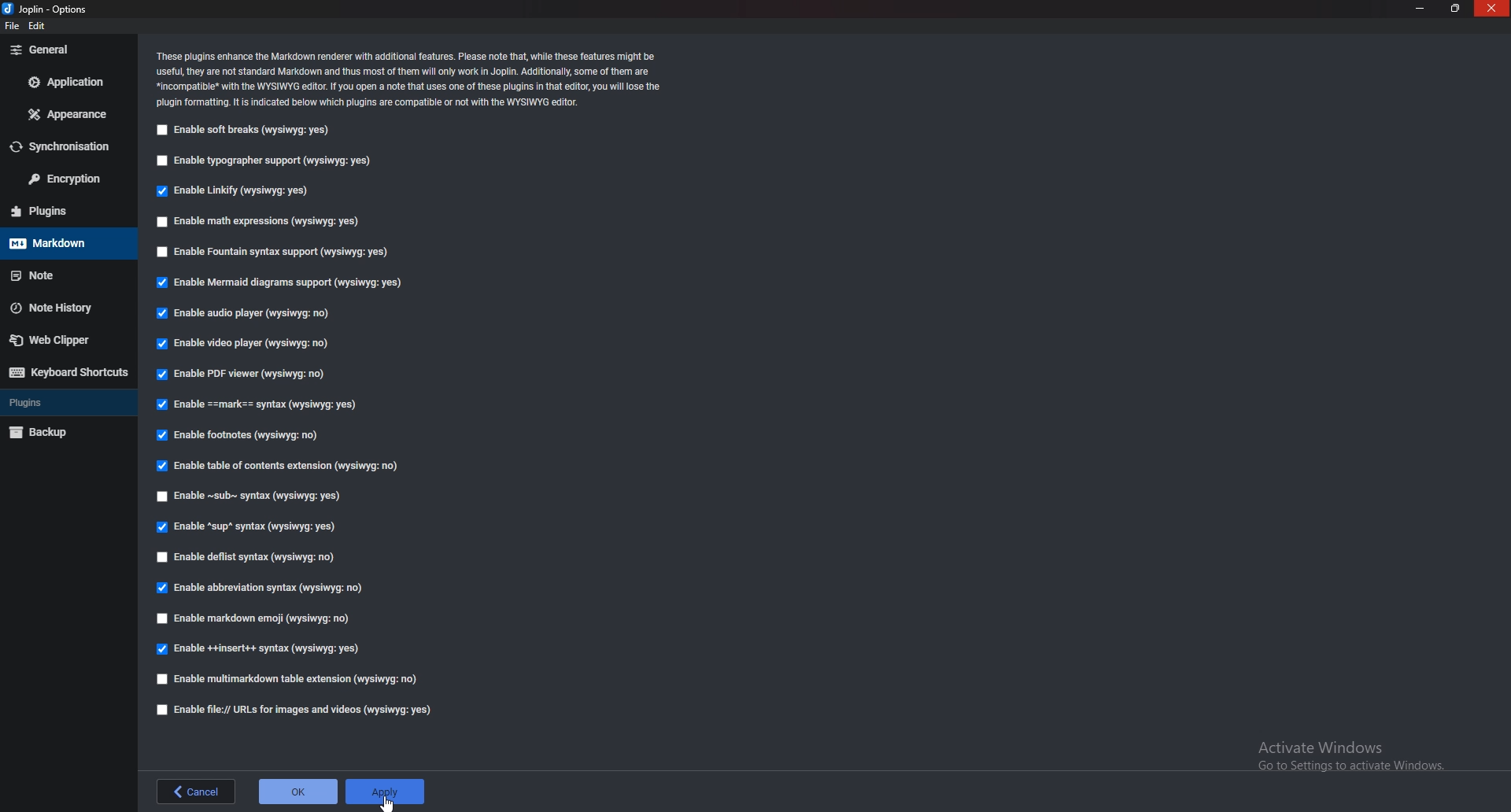  What do you see at coordinates (258, 650) in the screenshot?
I see `Enable insert syntax` at bounding box center [258, 650].